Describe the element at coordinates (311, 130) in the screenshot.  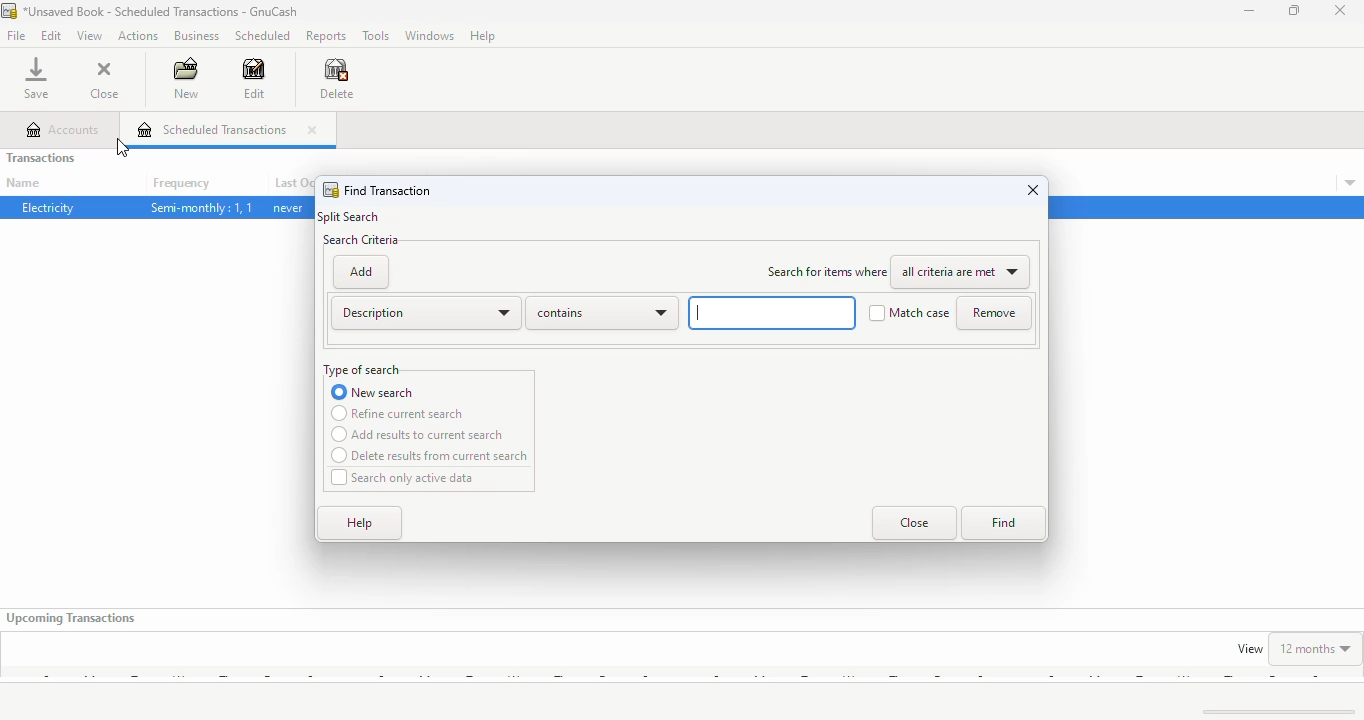
I see `close tab` at that location.